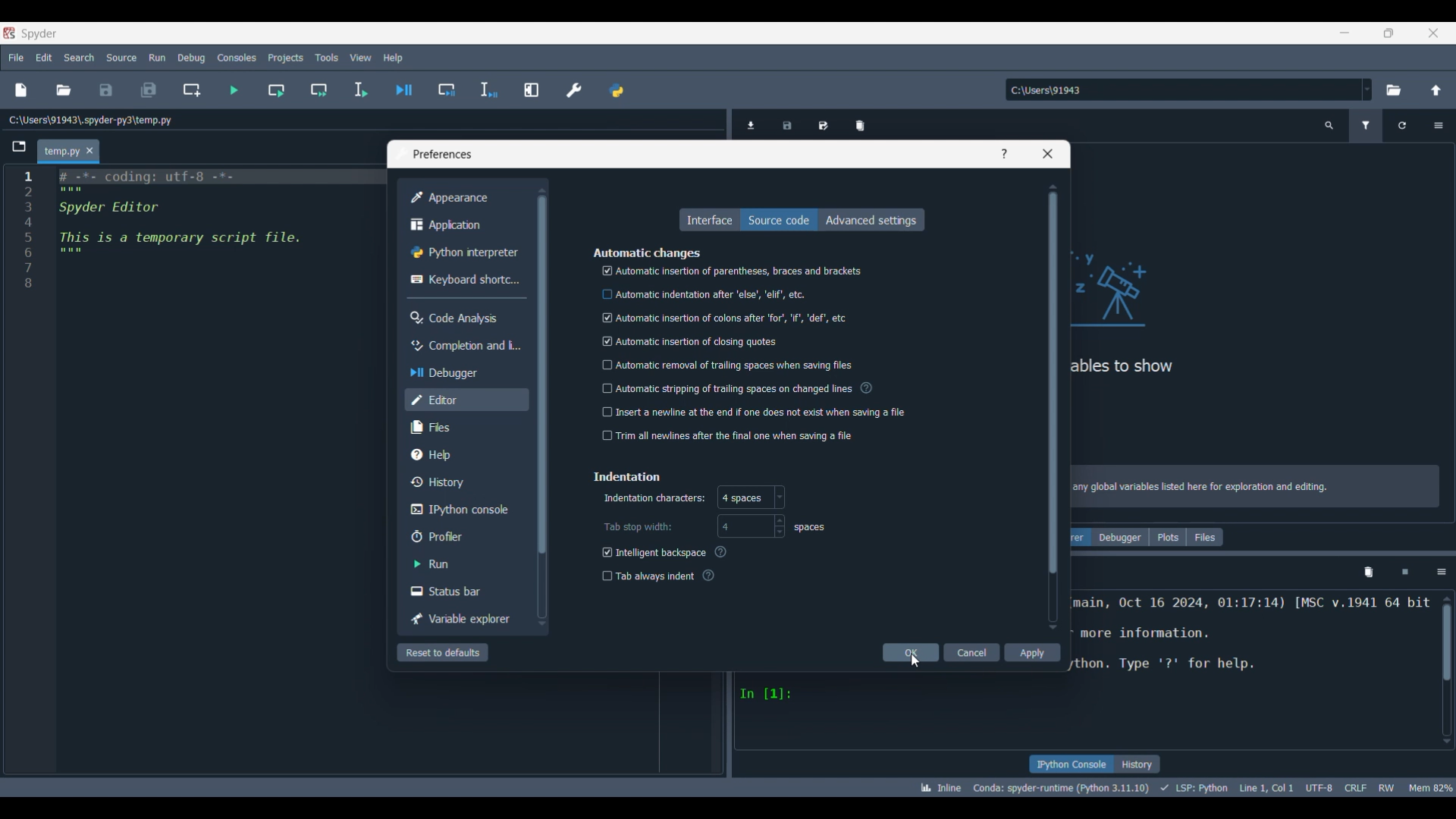  I want to click on Debugger, so click(1120, 537).